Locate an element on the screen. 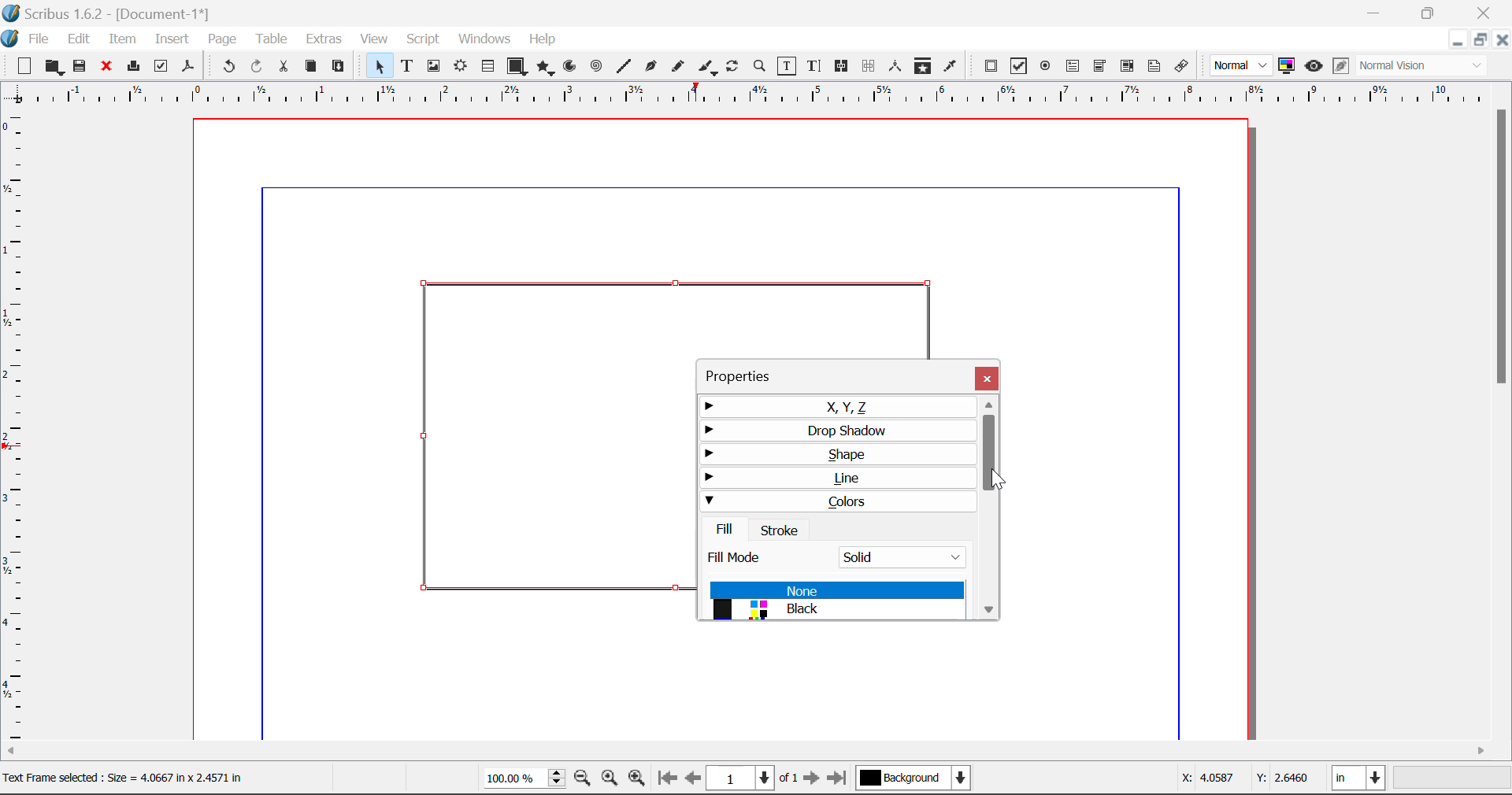 The height and width of the screenshot is (795, 1512). Page is located at coordinates (221, 39).